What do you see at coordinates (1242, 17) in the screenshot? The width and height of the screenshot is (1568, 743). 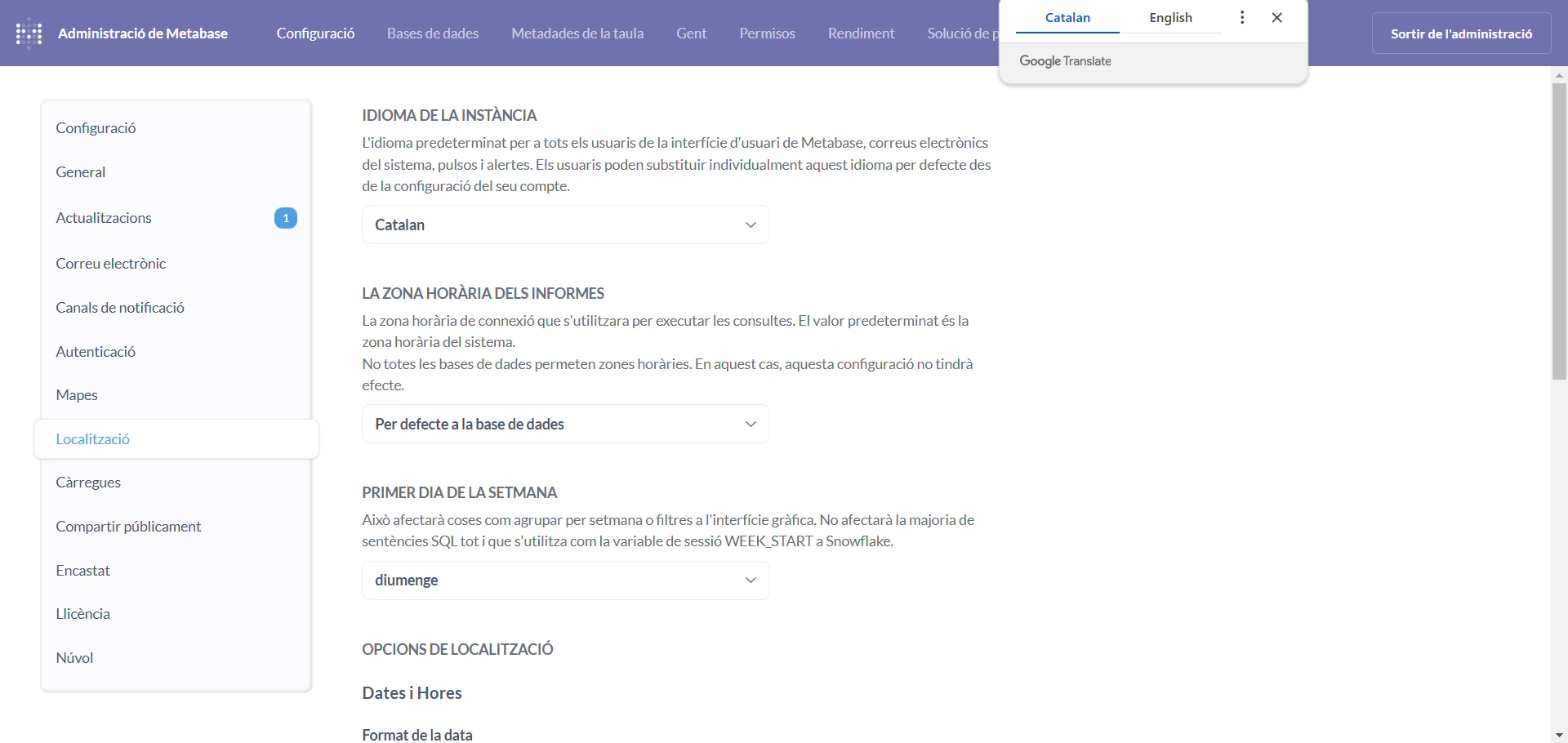 I see `more options` at bounding box center [1242, 17].